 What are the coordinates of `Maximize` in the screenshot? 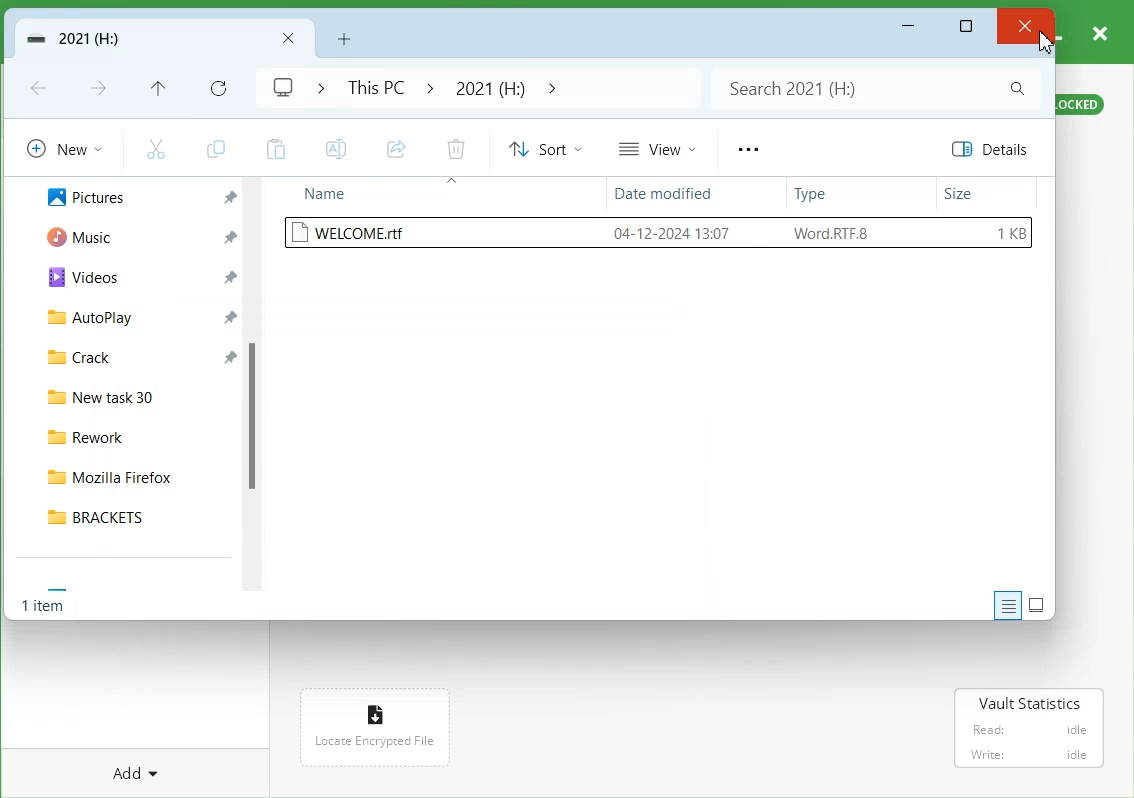 It's located at (968, 27).